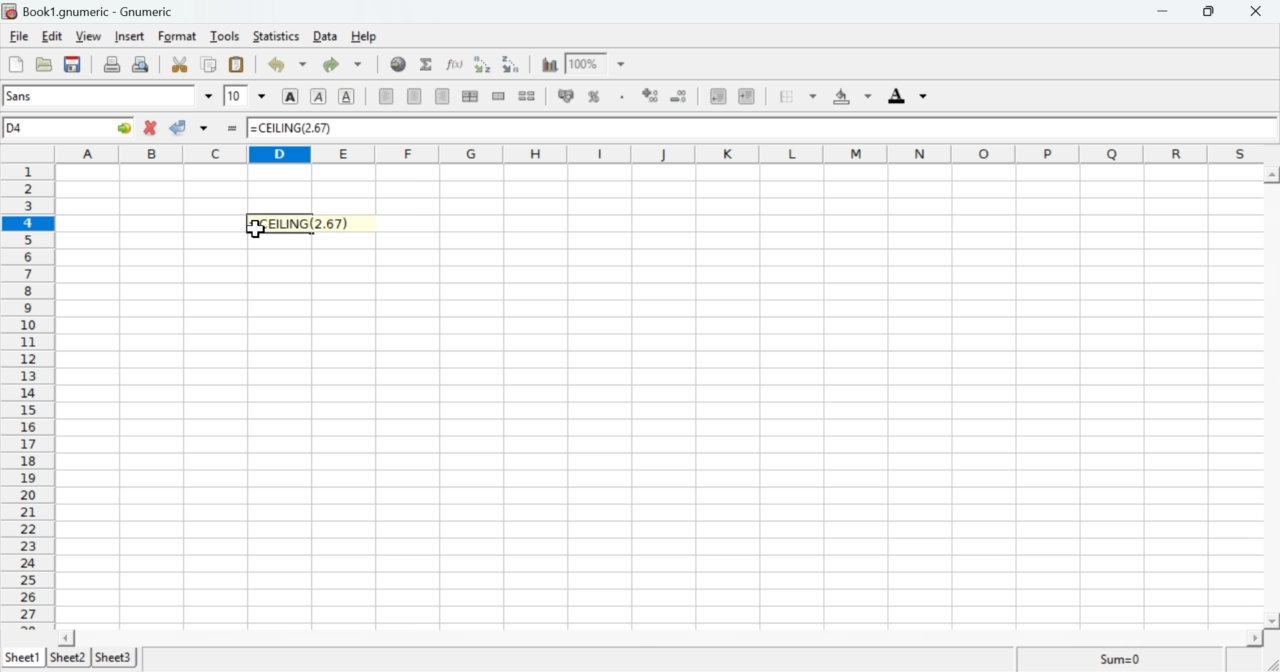 The height and width of the screenshot is (672, 1280). What do you see at coordinates (513, 65) in the screenshot?
I see `Sort descending` at bounding box center [513, 65].